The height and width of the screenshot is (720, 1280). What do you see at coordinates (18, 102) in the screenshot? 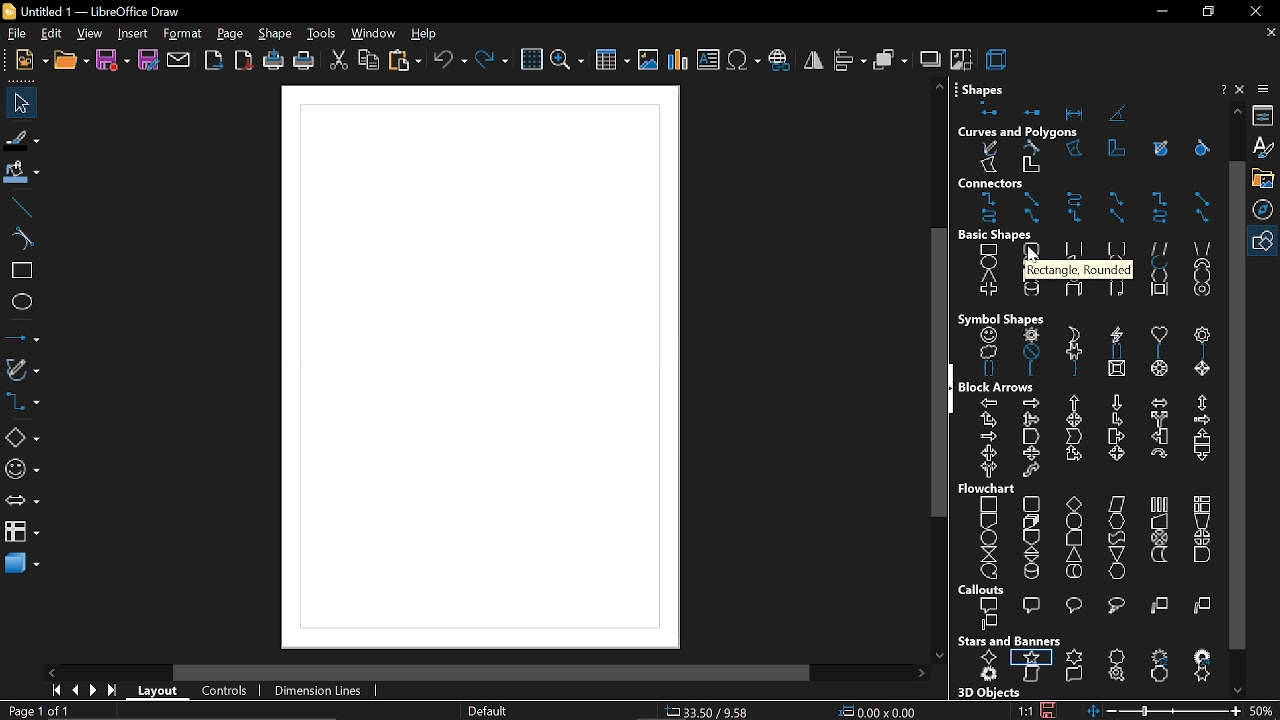
I see `select` at bounding box center [18, 102].